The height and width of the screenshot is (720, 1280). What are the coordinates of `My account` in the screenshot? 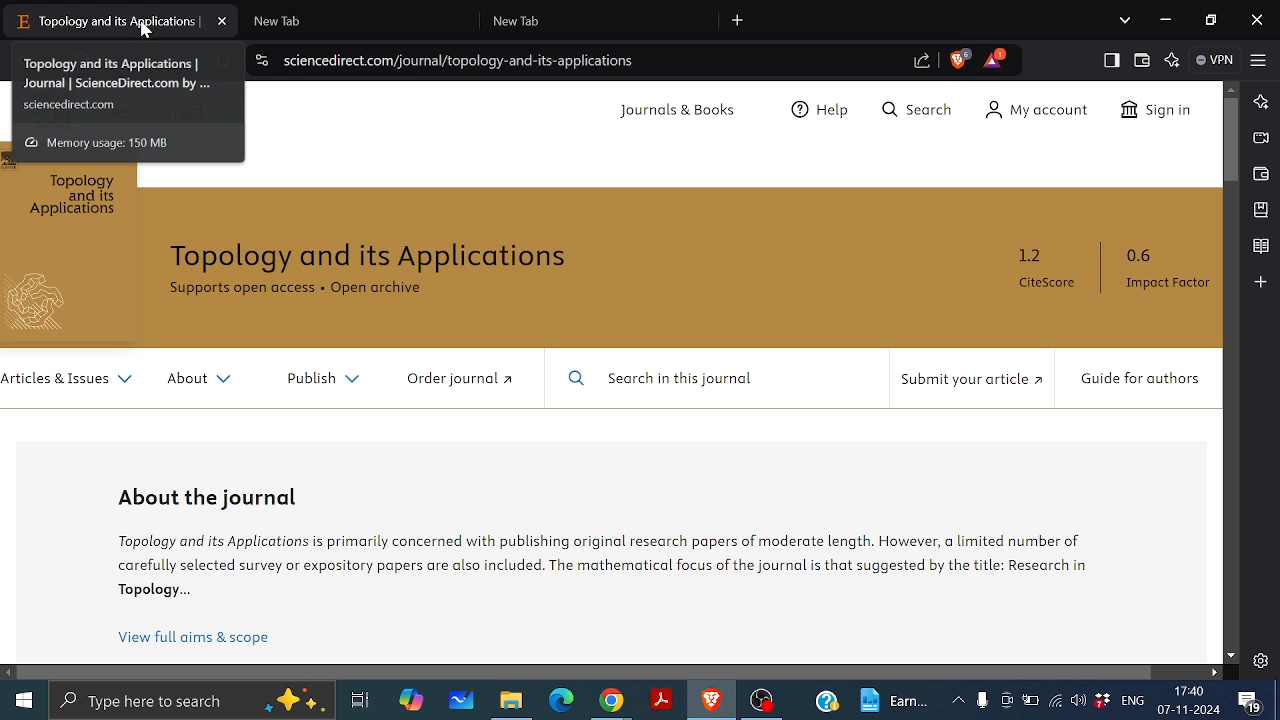 It's located at (1044, 110).